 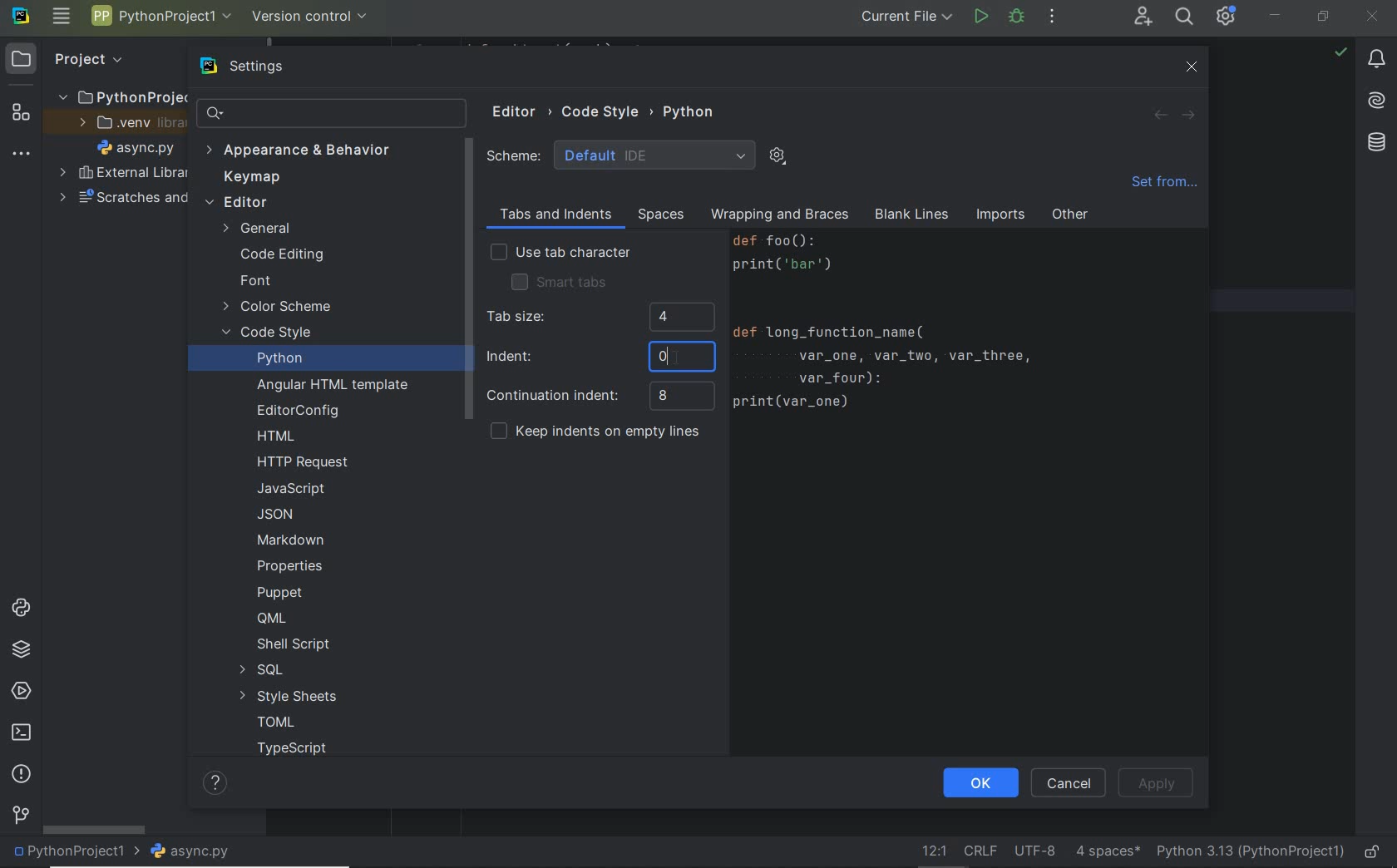 I want to click on keep indents on empty lines, so click(x=595, y=433).